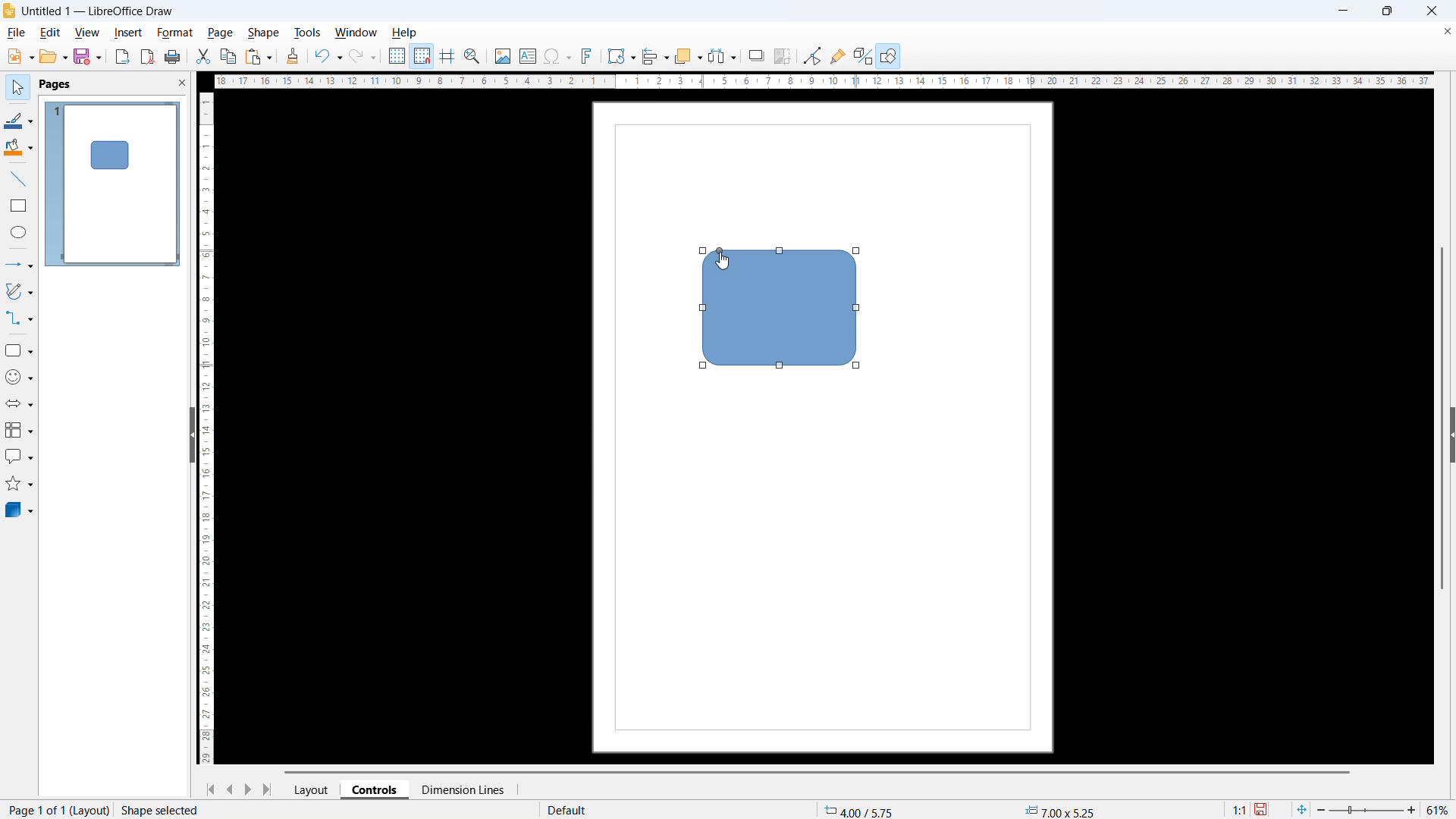 The image size is (1456, 819). Describe the element at coordinates (687, 57) in the screenshot. I see `arrange` at that location.